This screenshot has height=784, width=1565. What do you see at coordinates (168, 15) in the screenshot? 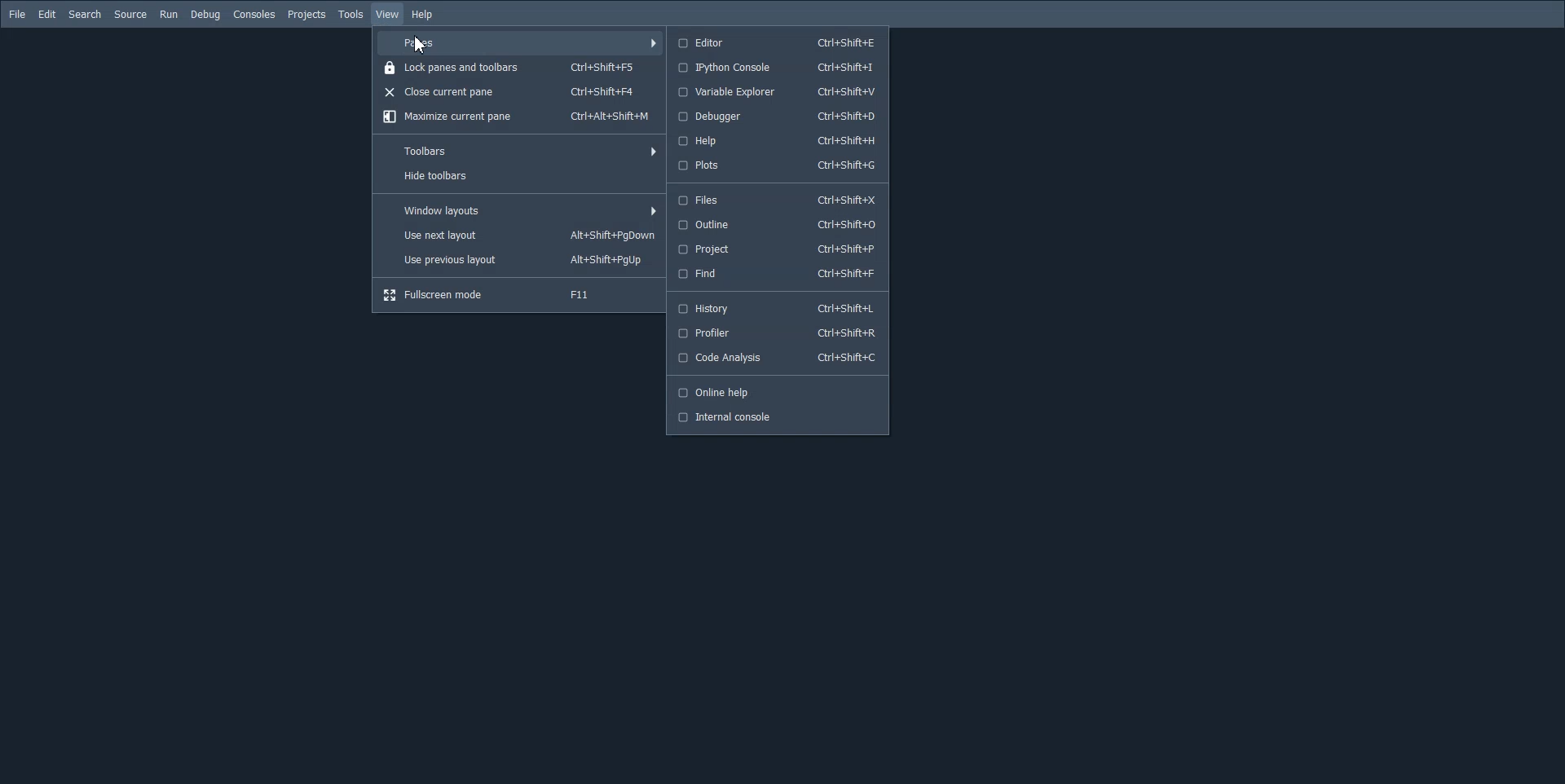
I see `Run` at bounding box center [168, 15].